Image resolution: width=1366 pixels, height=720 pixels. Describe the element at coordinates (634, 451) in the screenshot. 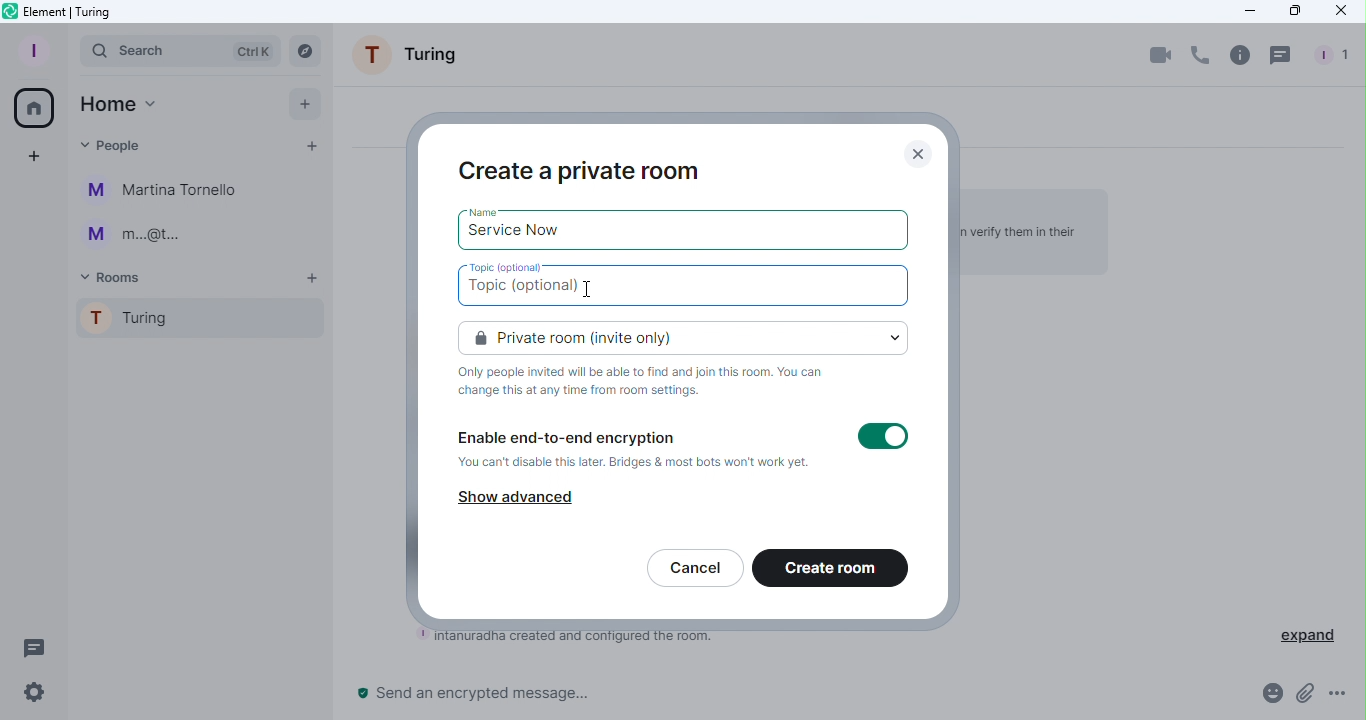

I see `Enable end-to-end encryption` at that location.